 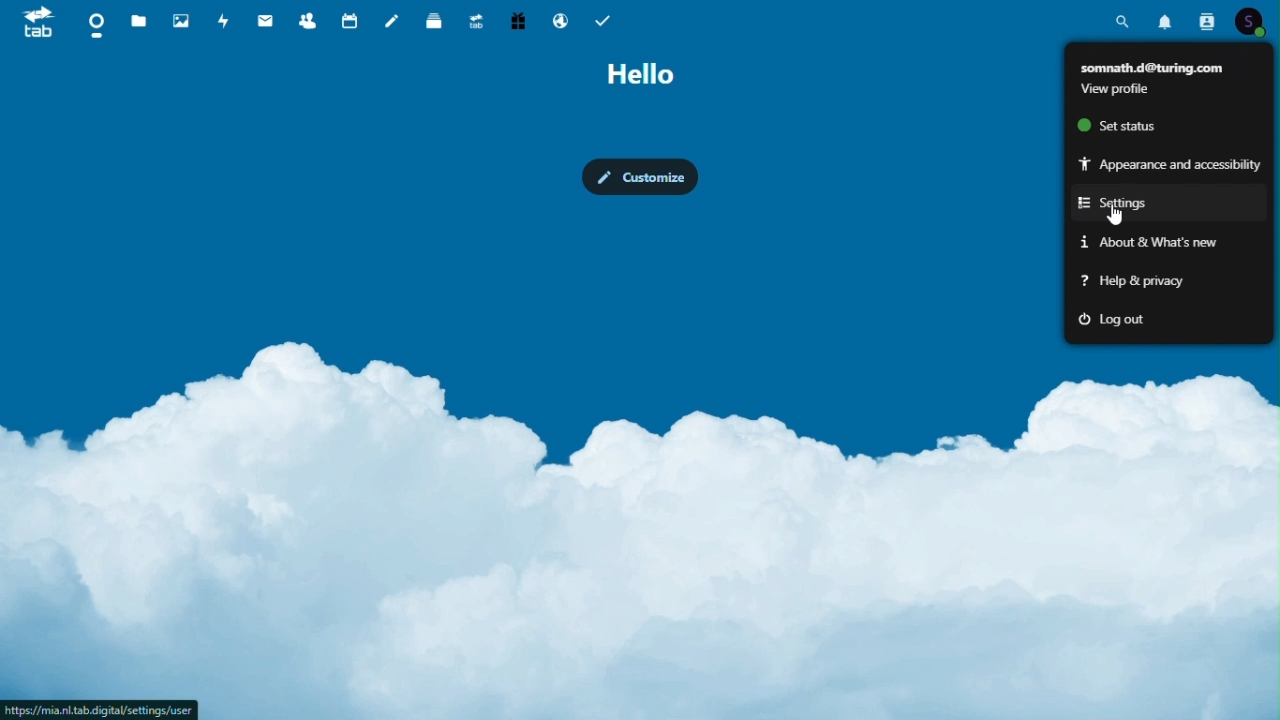 I want to click on Calendar, so click(x=353, y=19).